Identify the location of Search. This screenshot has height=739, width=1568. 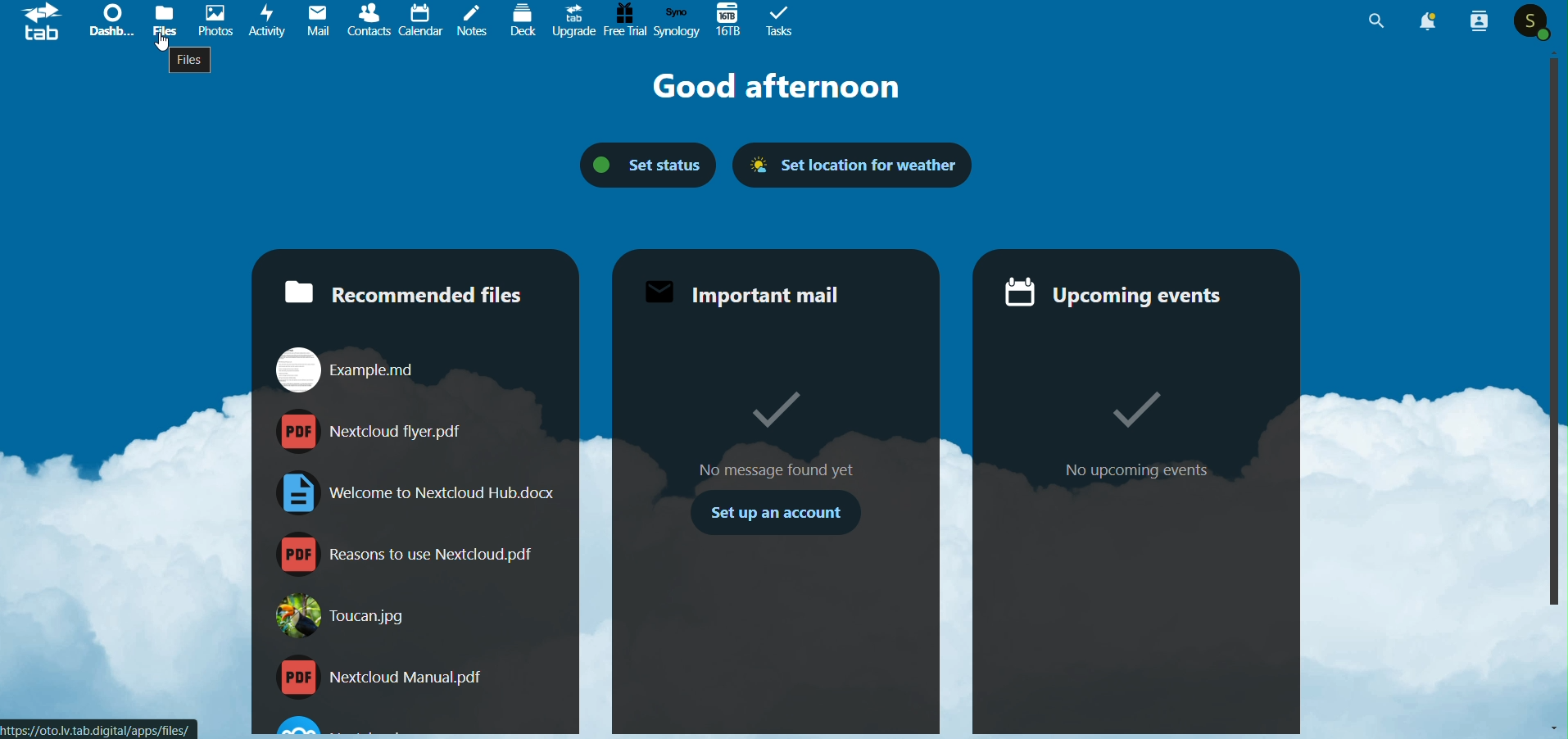
(1374, 20).